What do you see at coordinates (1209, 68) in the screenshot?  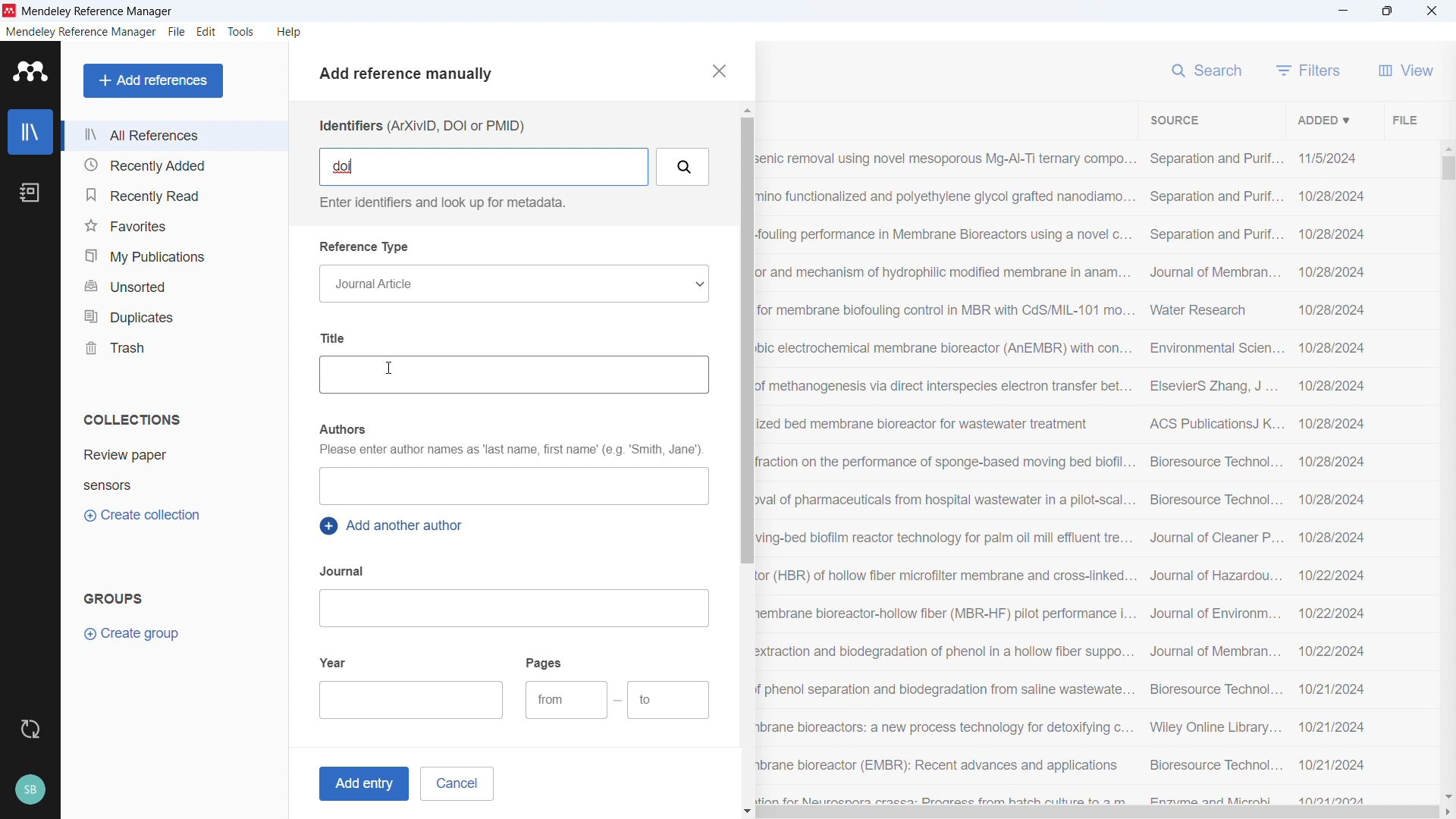 I see `search ` at bounding box center [1209, 68].